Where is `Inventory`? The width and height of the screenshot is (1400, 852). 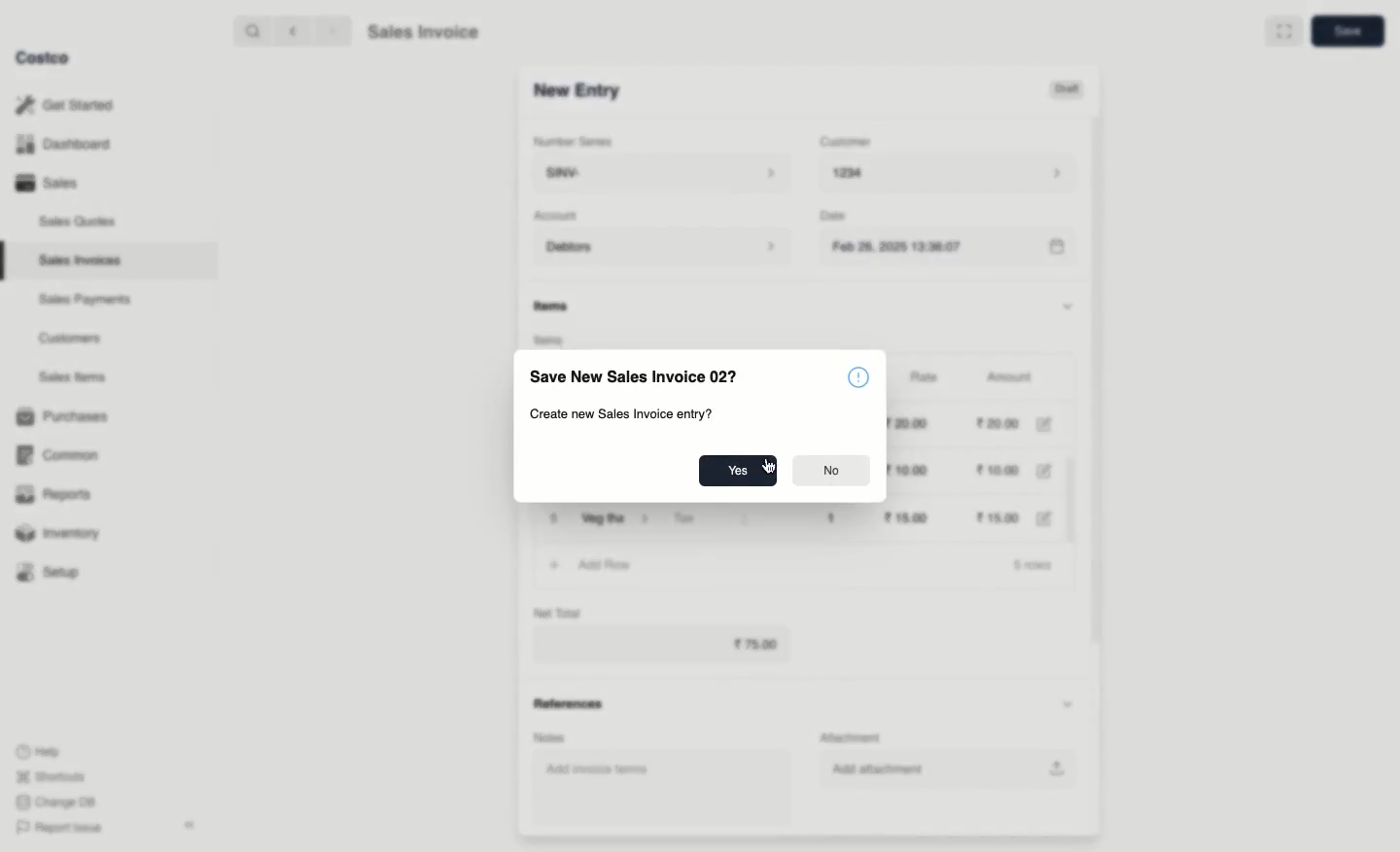 Inventory is located at coordinates (61, 531).